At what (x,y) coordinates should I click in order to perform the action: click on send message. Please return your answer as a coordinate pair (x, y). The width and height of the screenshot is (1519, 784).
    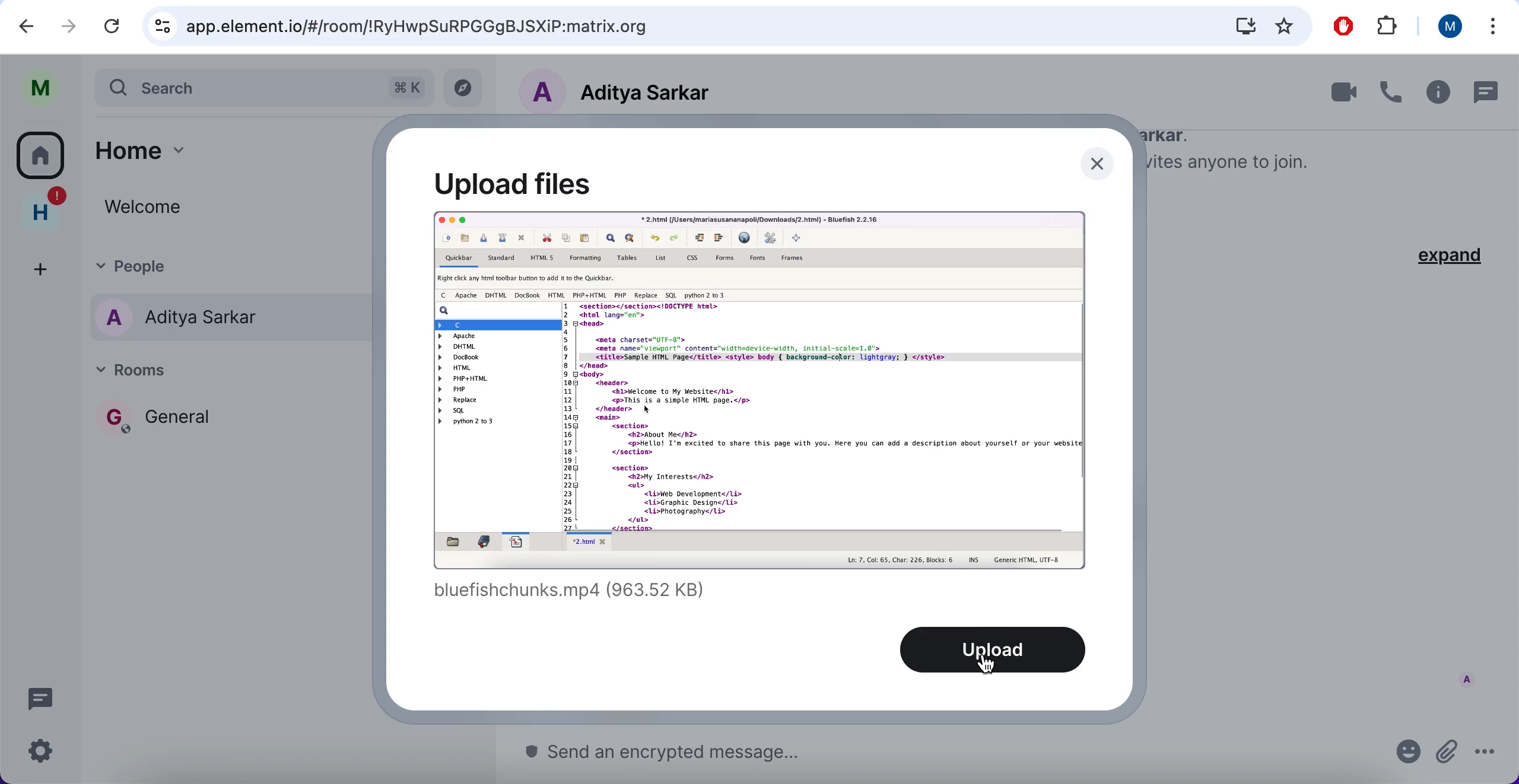
    Looking at the image, I should click on (953, 755).